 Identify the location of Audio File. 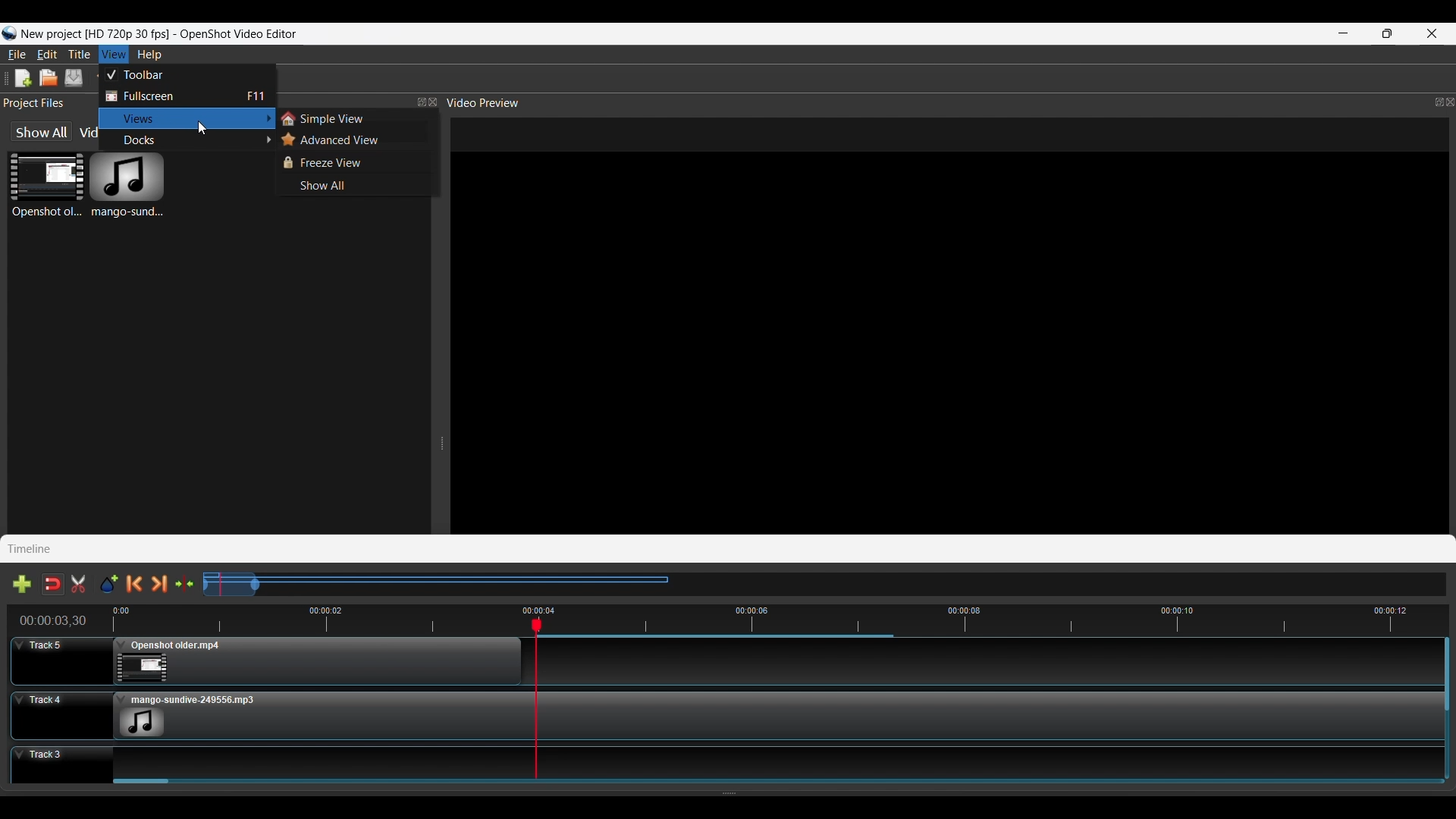
(127, 185).